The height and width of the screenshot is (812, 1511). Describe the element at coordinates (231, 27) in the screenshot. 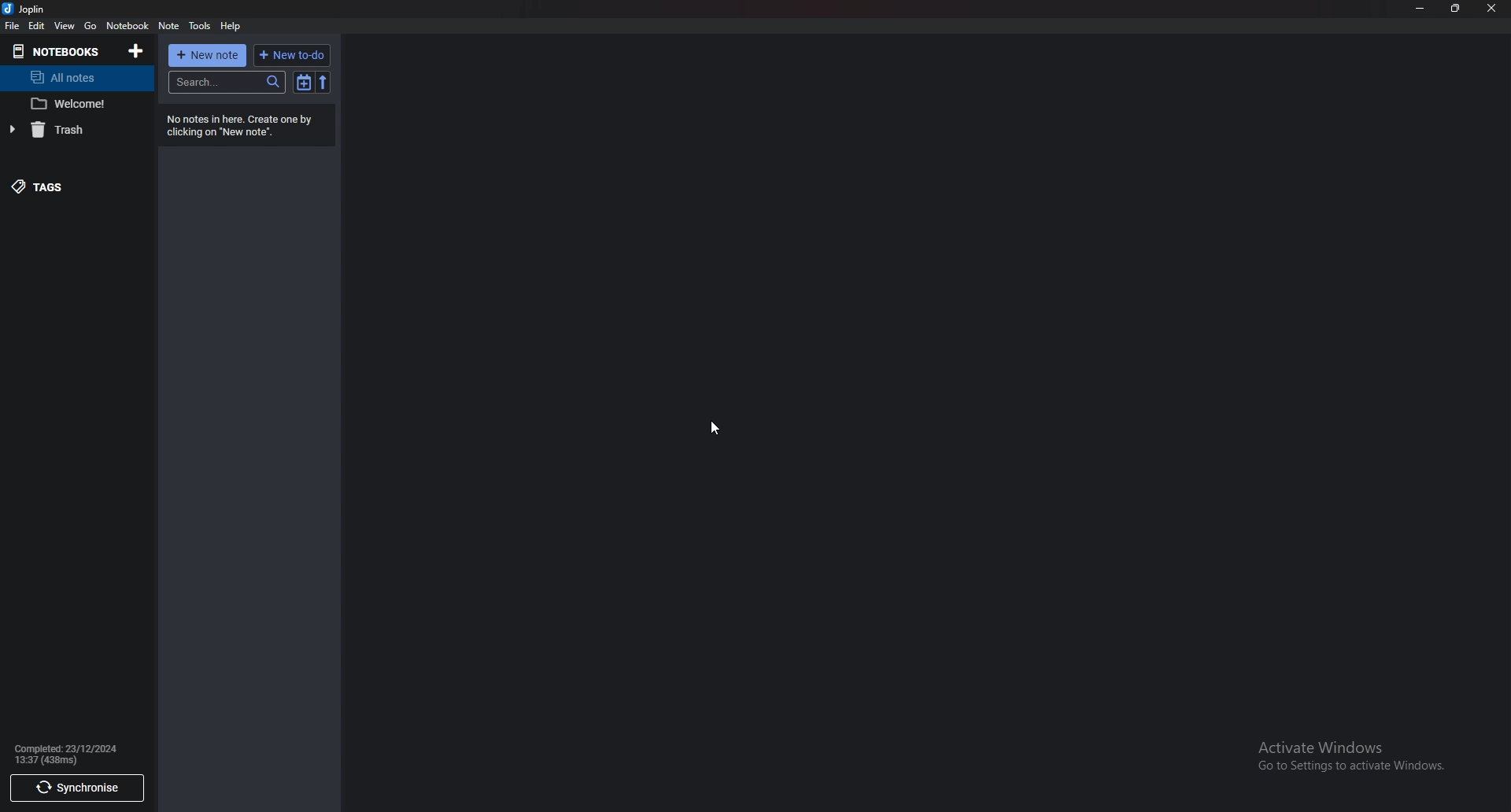

I see `help` at that location.